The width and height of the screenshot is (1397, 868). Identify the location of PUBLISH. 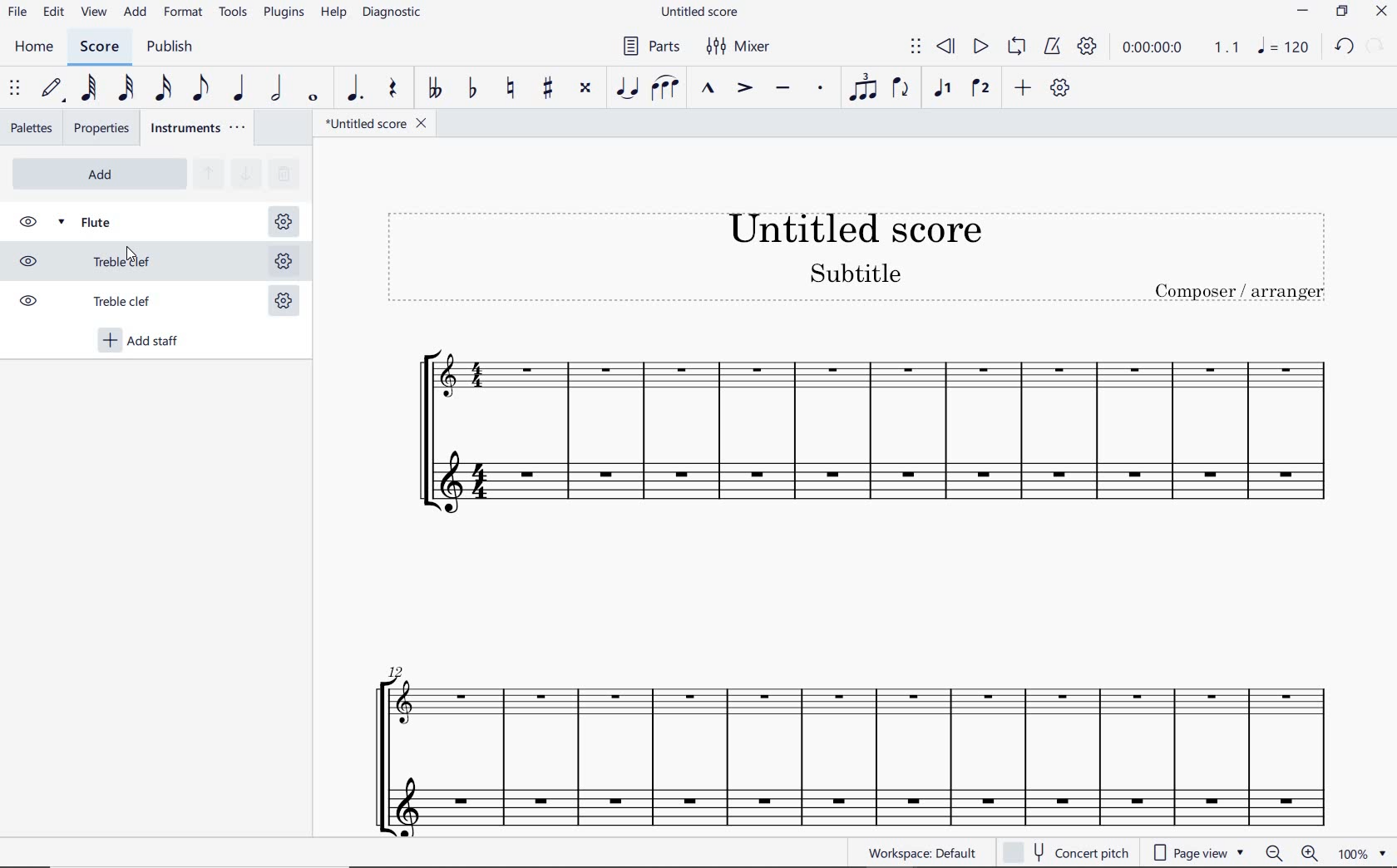
(175, 49).